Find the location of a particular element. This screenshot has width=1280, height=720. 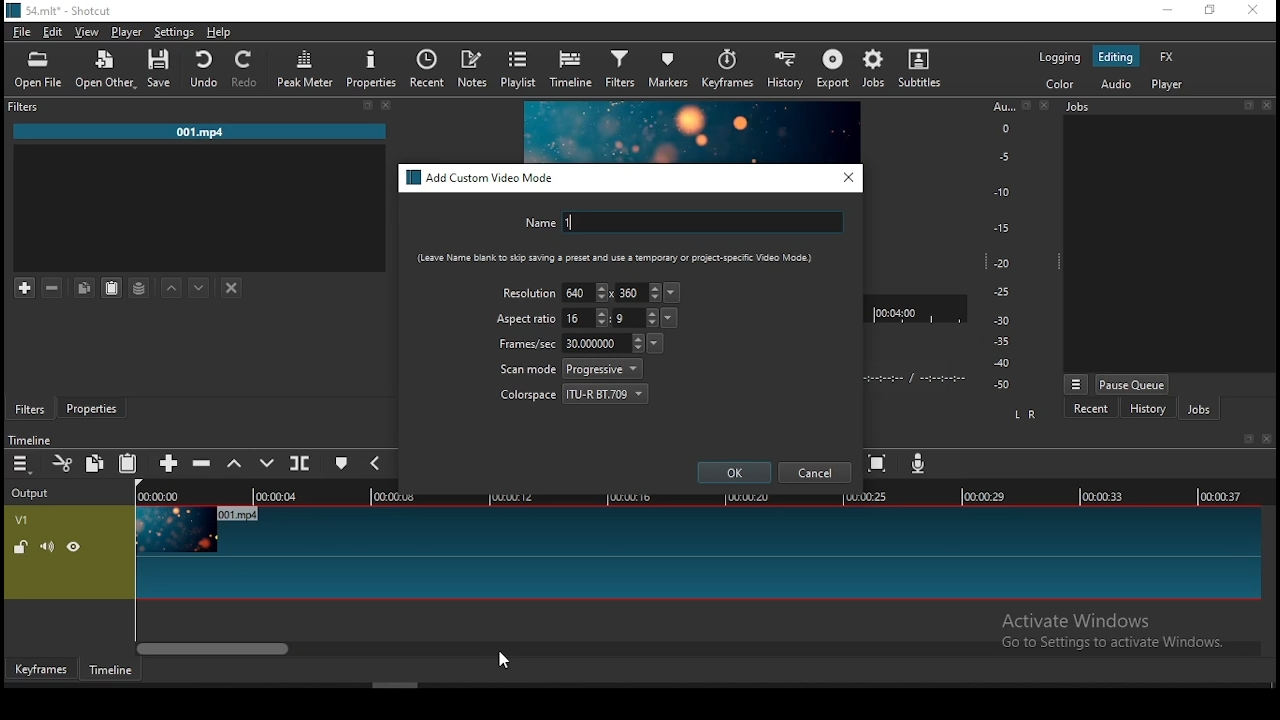

jobs is located at coordinates (1080, 106).